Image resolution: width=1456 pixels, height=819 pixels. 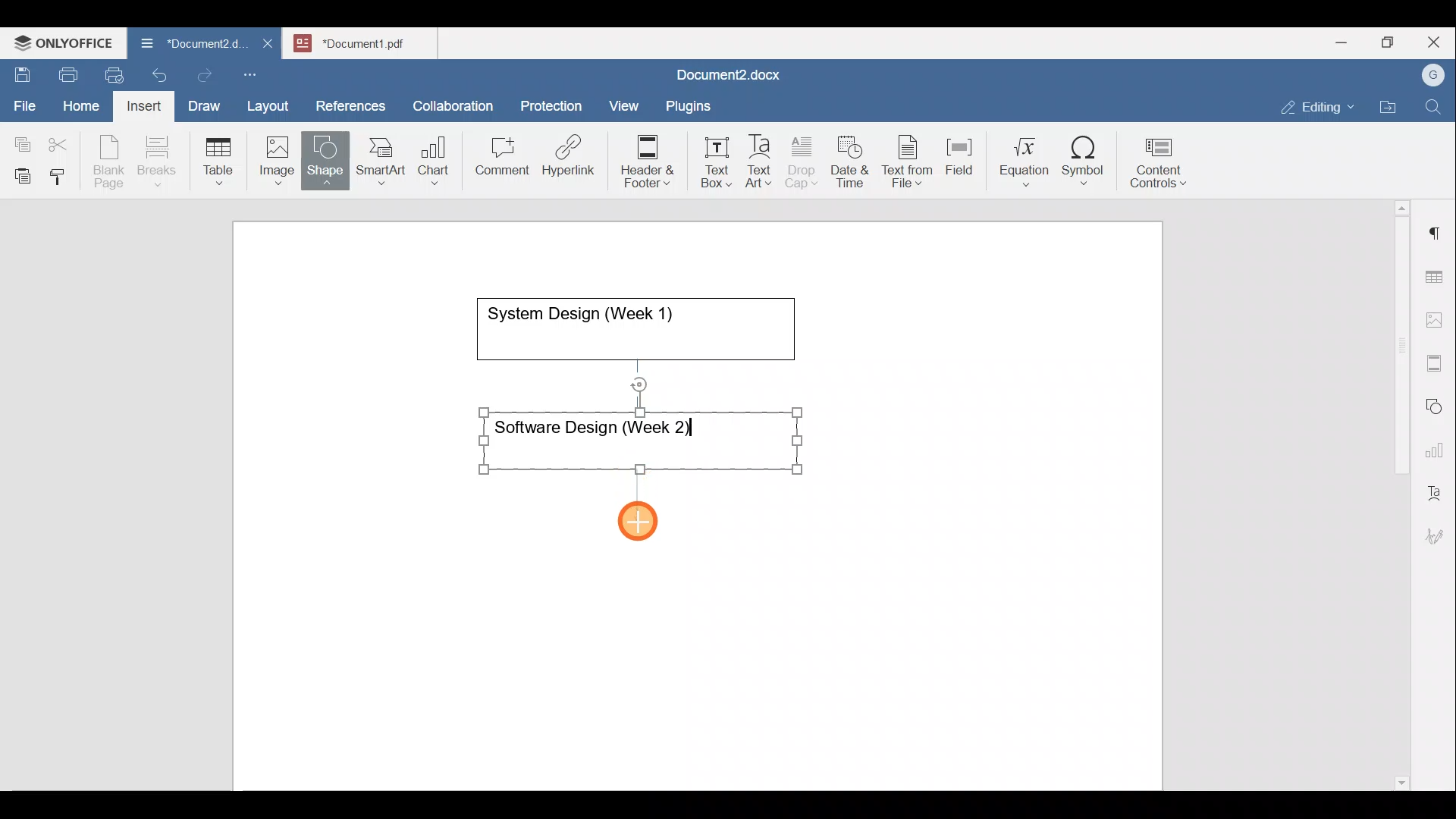 What do you see at coordinates (1437, 318) in the screenshot?
I see `Image settings` at bounding box center [1437, 318].